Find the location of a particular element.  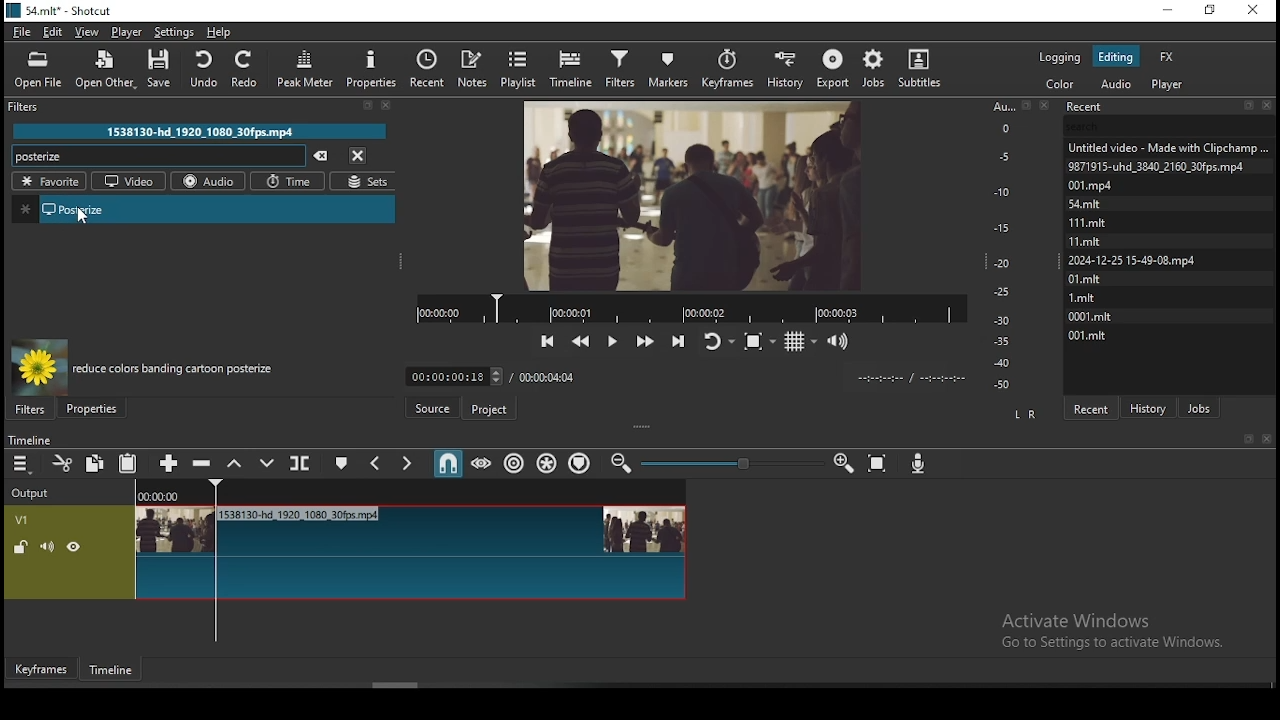

open other is located at coordinates (107, 72).